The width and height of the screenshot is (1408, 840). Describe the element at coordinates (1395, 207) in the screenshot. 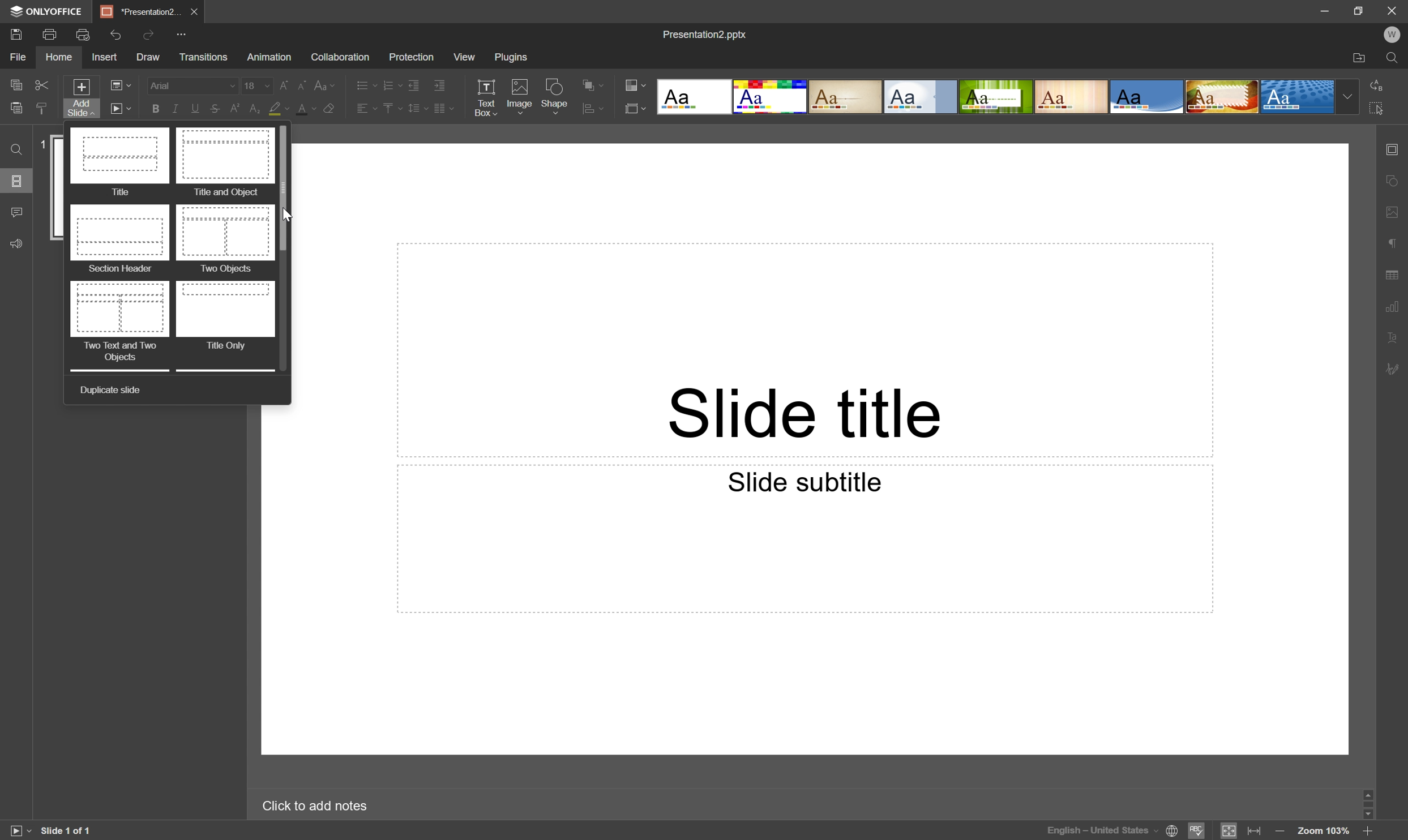

I see `Image settings` at that location.